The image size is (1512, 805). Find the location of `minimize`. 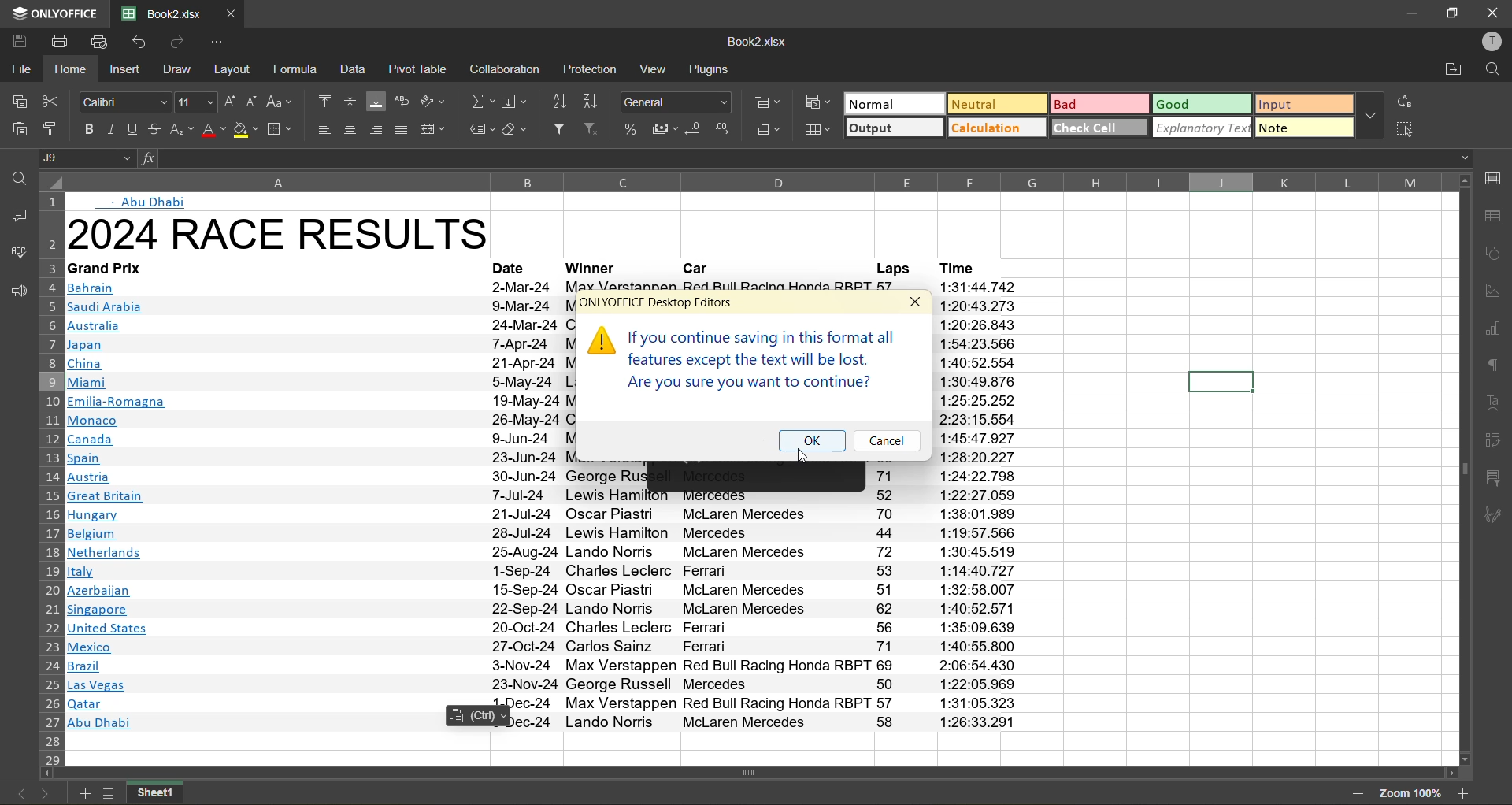

minimize is located at coordinates (1411, 14).